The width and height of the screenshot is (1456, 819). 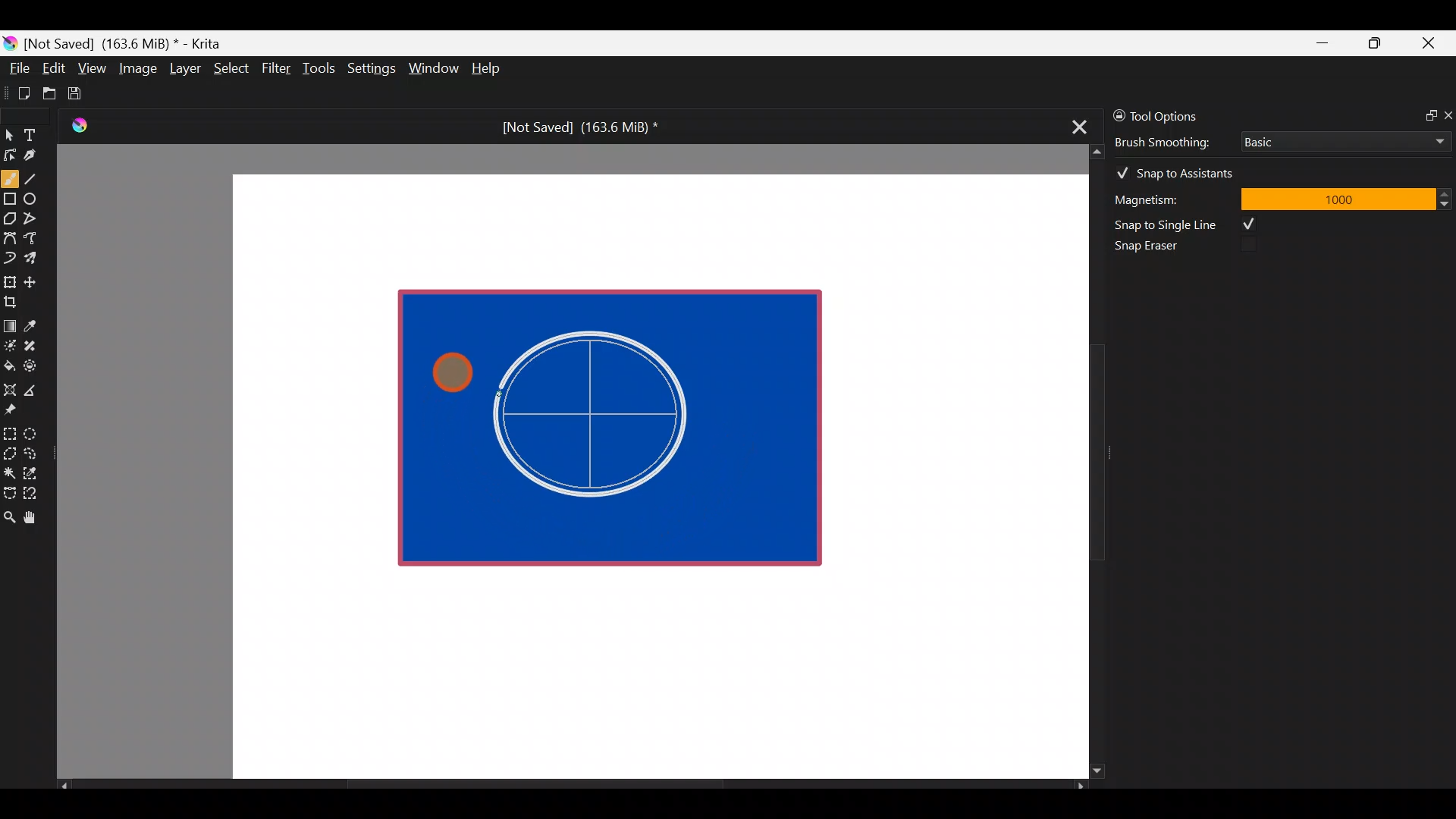 I want to click on Basic, so click(x=1341, y=139).